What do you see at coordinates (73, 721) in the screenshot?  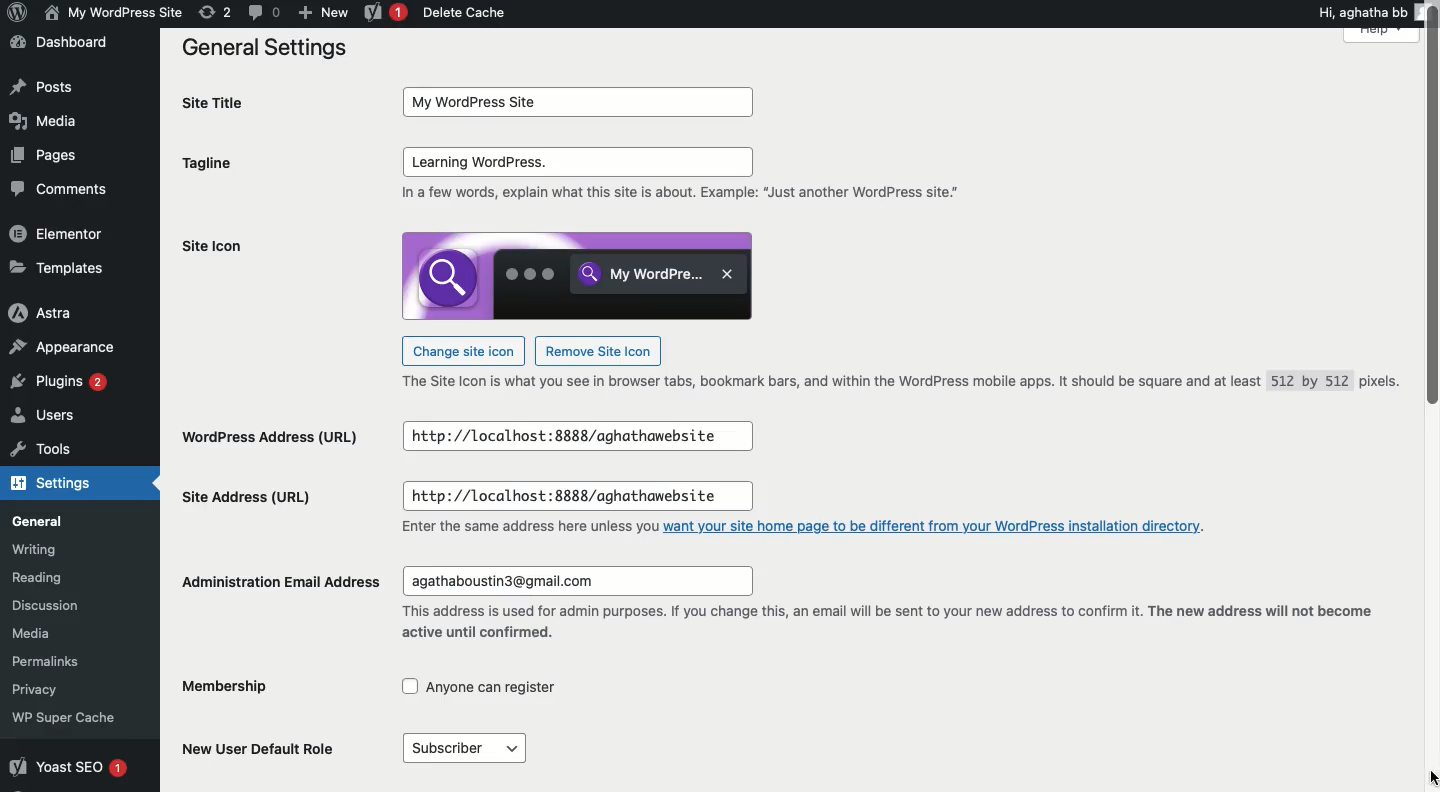 I see `WP Super Cache` at bounding box center [73, 721].